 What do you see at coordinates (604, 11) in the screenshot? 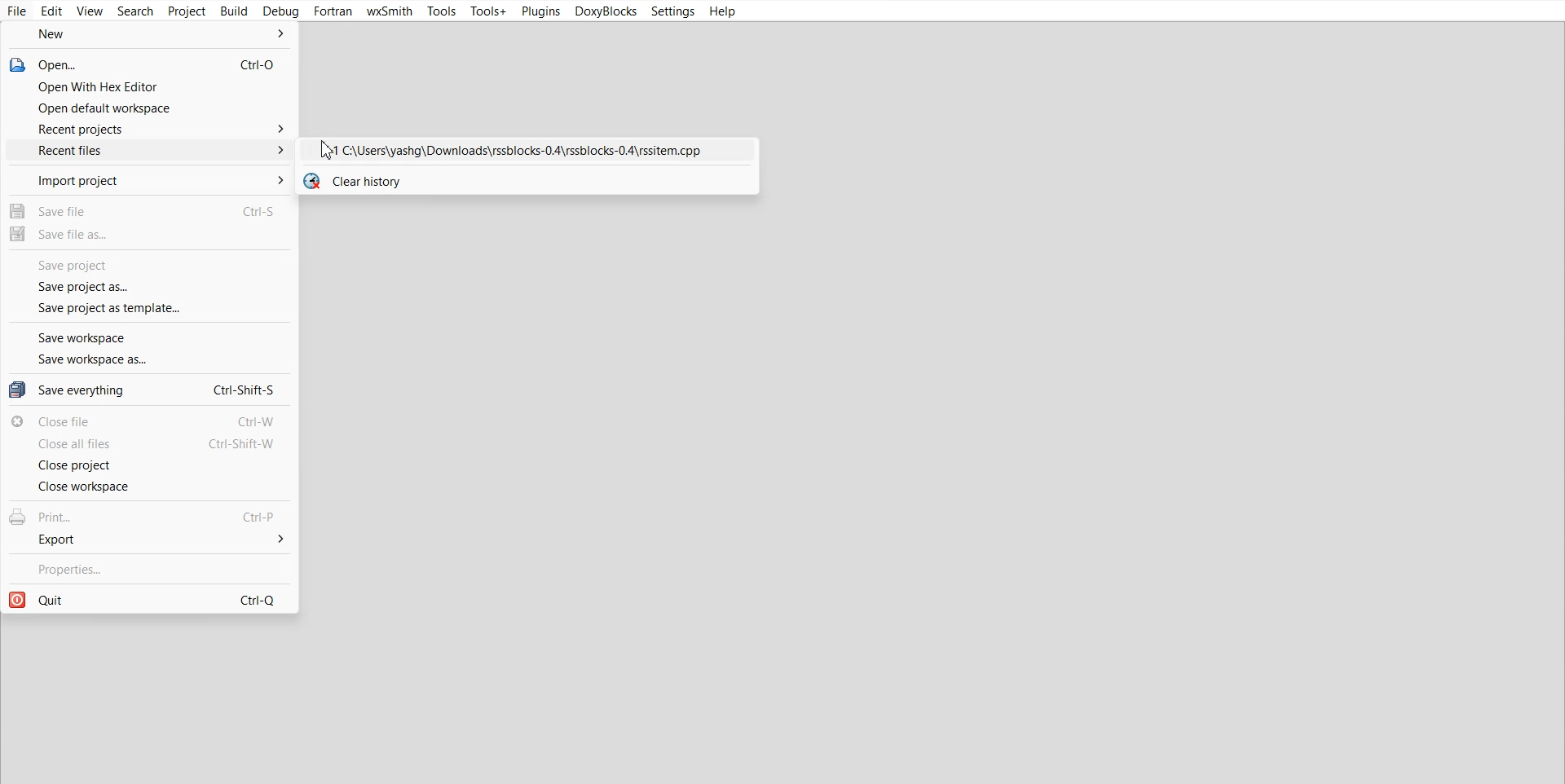
I see `DoxyBlocks` at bounding box center [604, 11].